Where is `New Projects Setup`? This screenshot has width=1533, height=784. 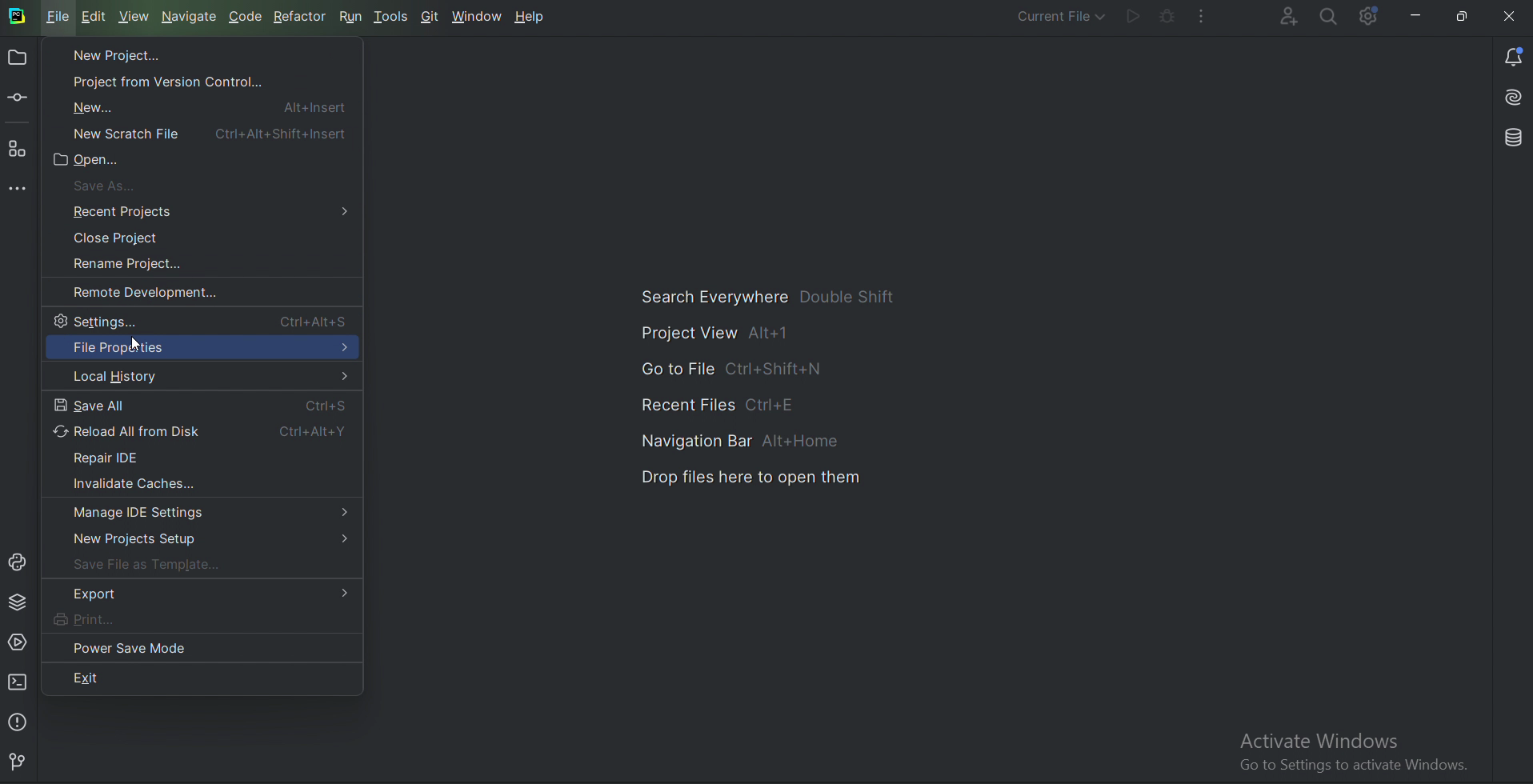 New Projects Setup is located at coordinates (206, 541).